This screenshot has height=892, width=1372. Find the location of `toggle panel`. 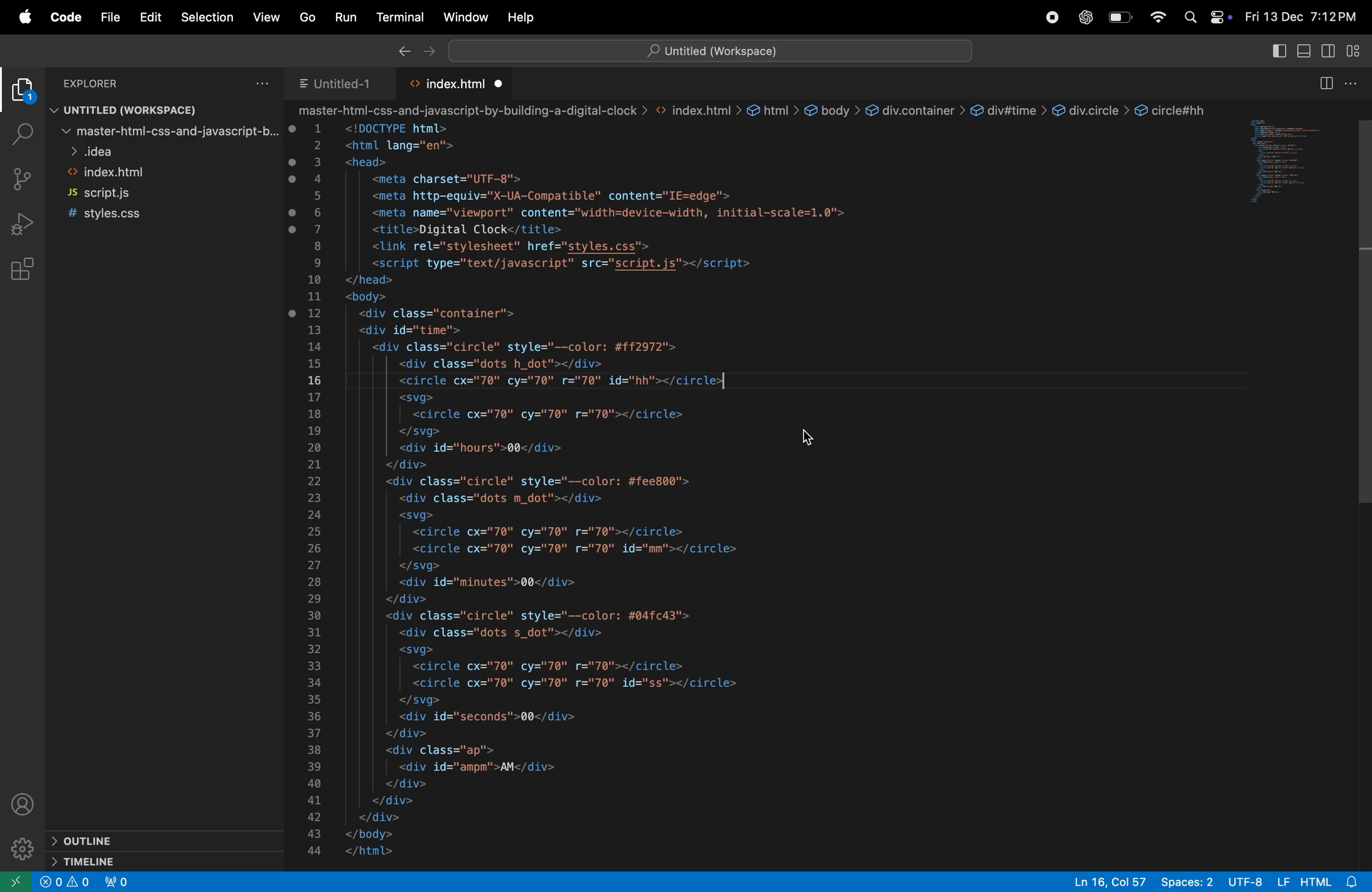

toggle panel is located at coordinates (1303, 52).